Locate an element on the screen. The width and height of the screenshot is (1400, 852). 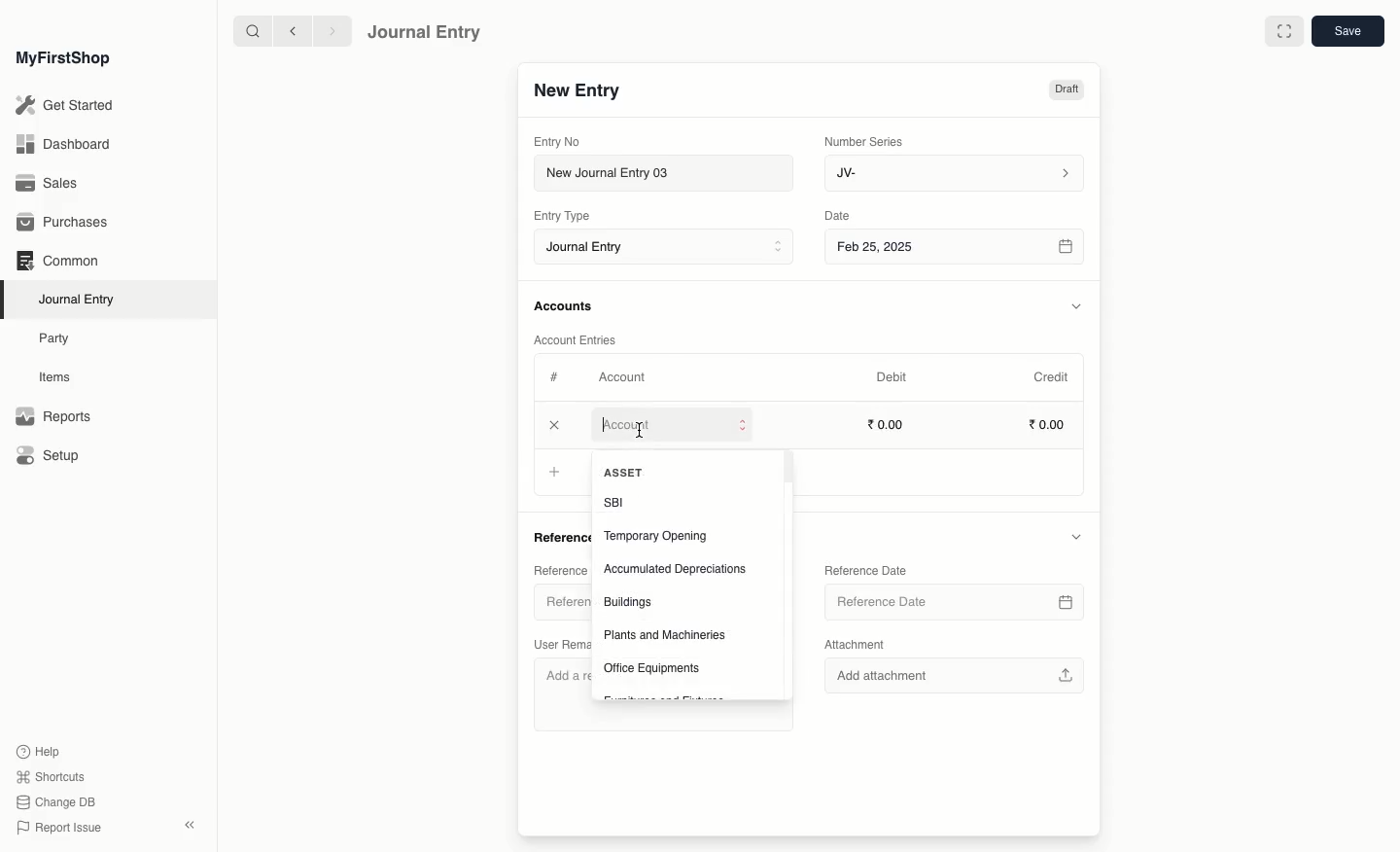
Journal Entry is located at coordinates (82, 299).